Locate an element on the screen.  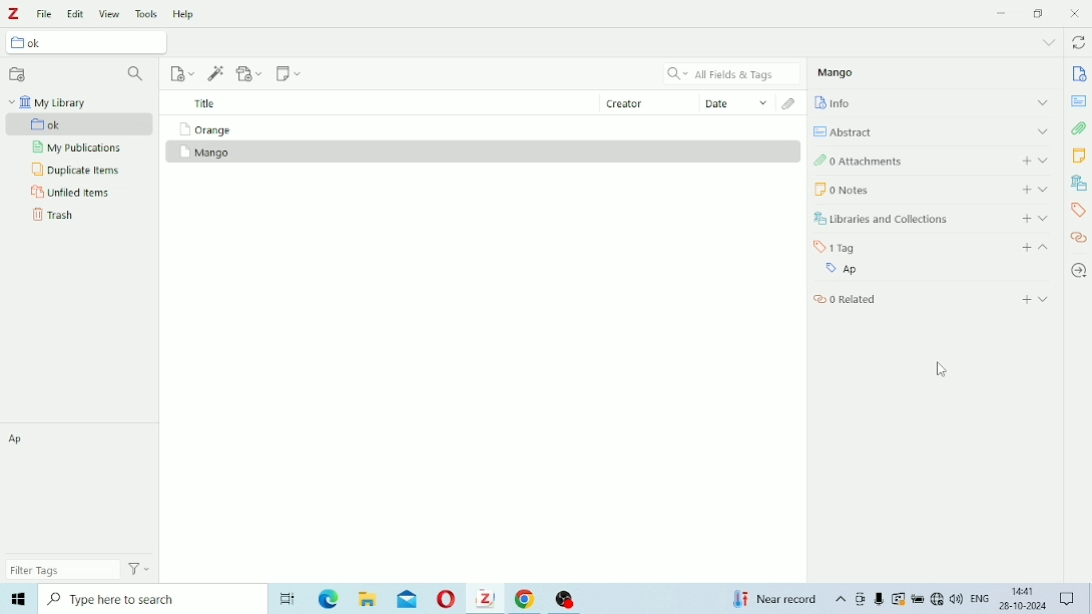
Cursor is located at coordinates (942, 370).